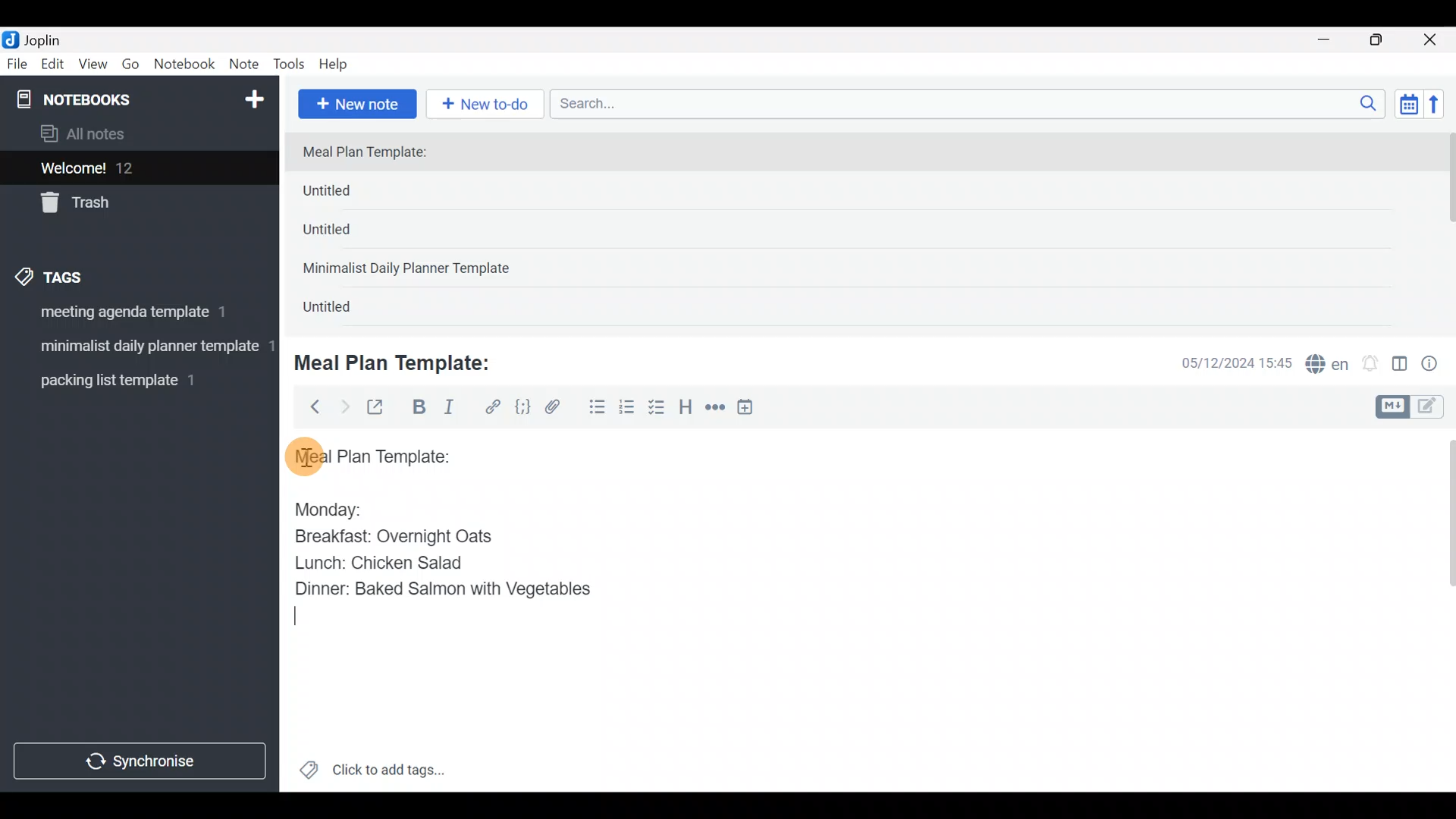 Image resolution: width=1456 pixels, height=819 pixels. Describe the element at coordinates (134, 380) in the screenshot. I see `Tag 3` at that location.